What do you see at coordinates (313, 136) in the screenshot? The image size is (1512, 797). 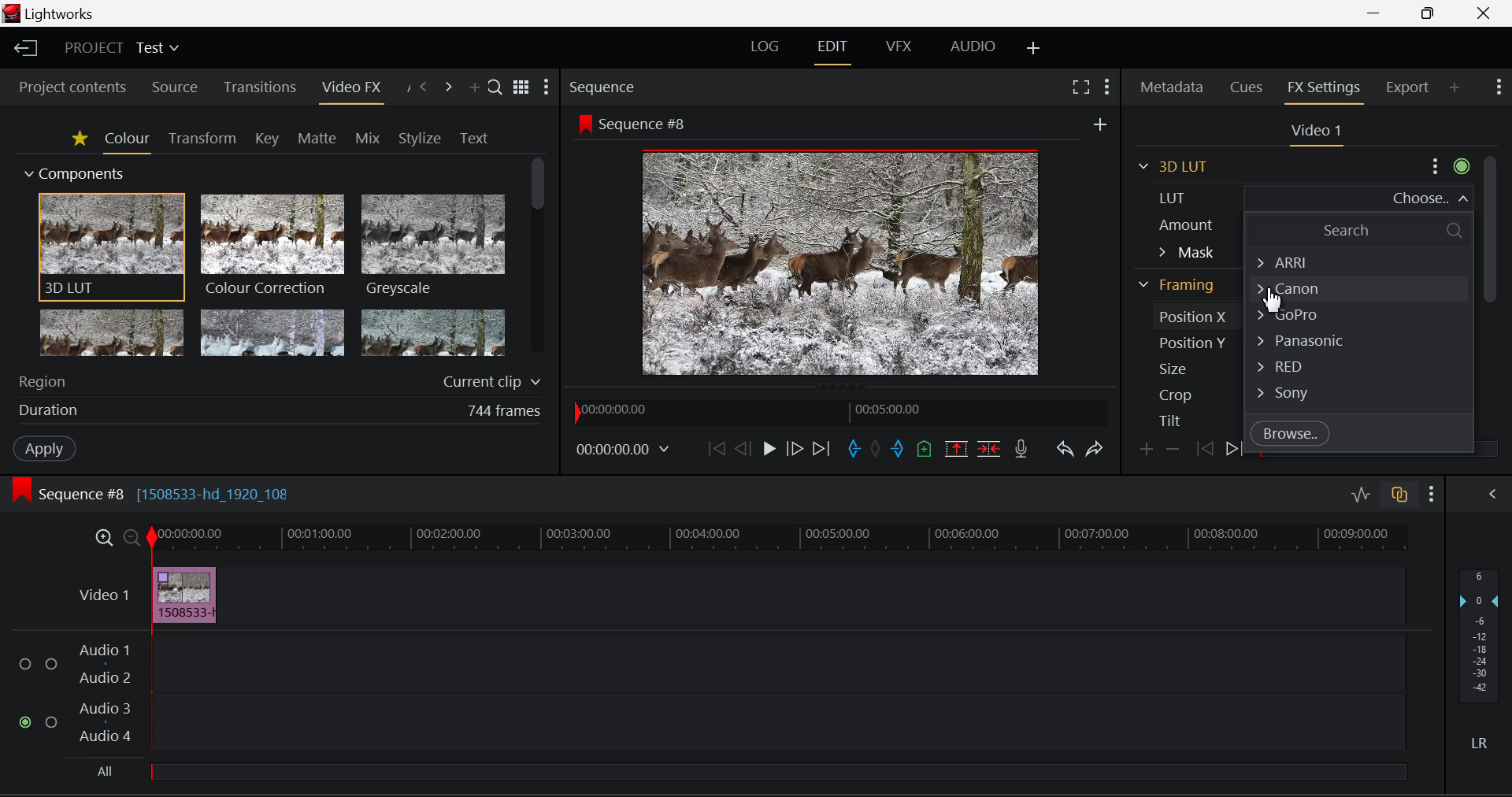 I see `Matte` at bounding box center [313, 136].